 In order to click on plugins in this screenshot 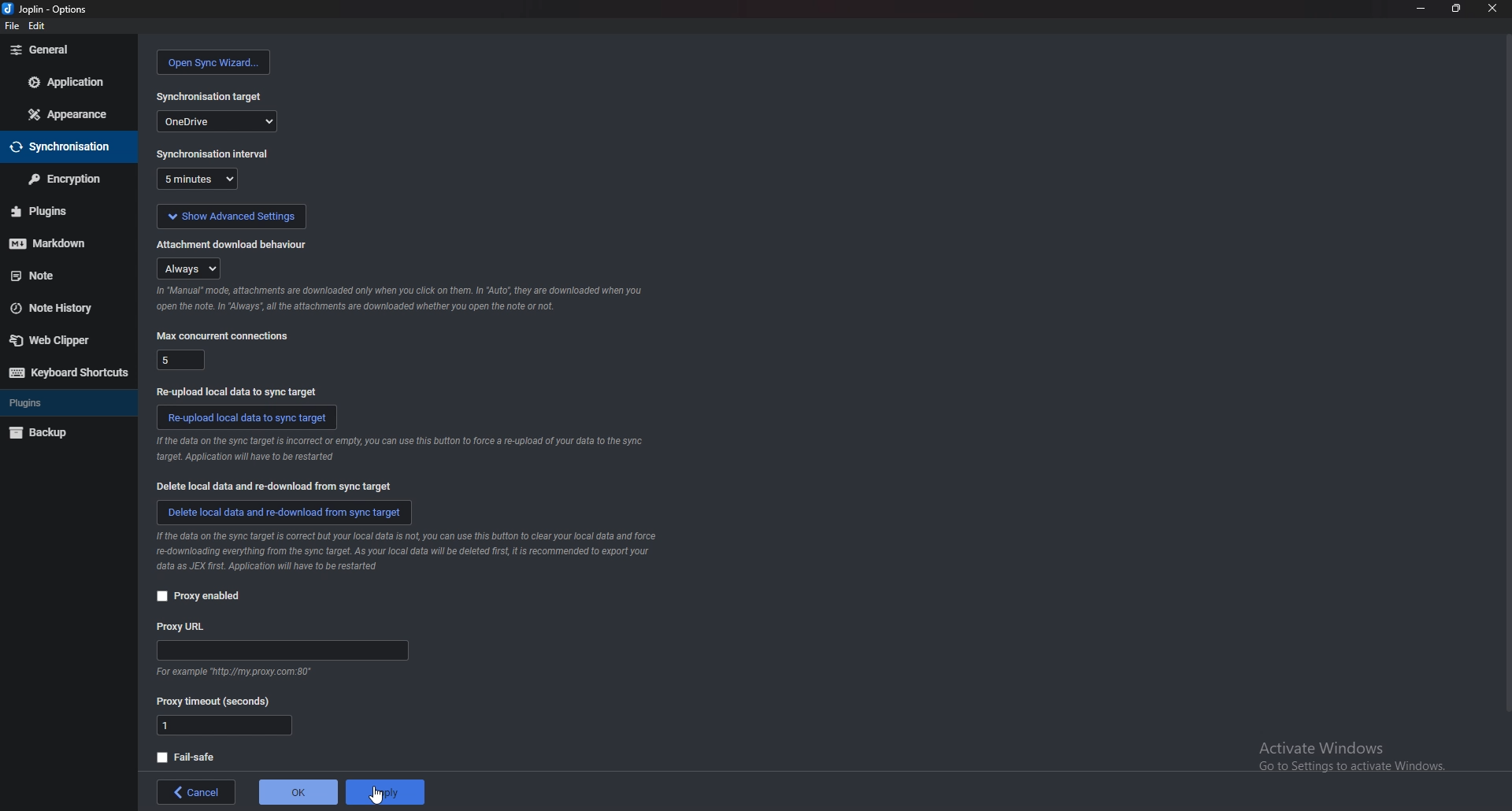, I will do `click(57, 403)`.